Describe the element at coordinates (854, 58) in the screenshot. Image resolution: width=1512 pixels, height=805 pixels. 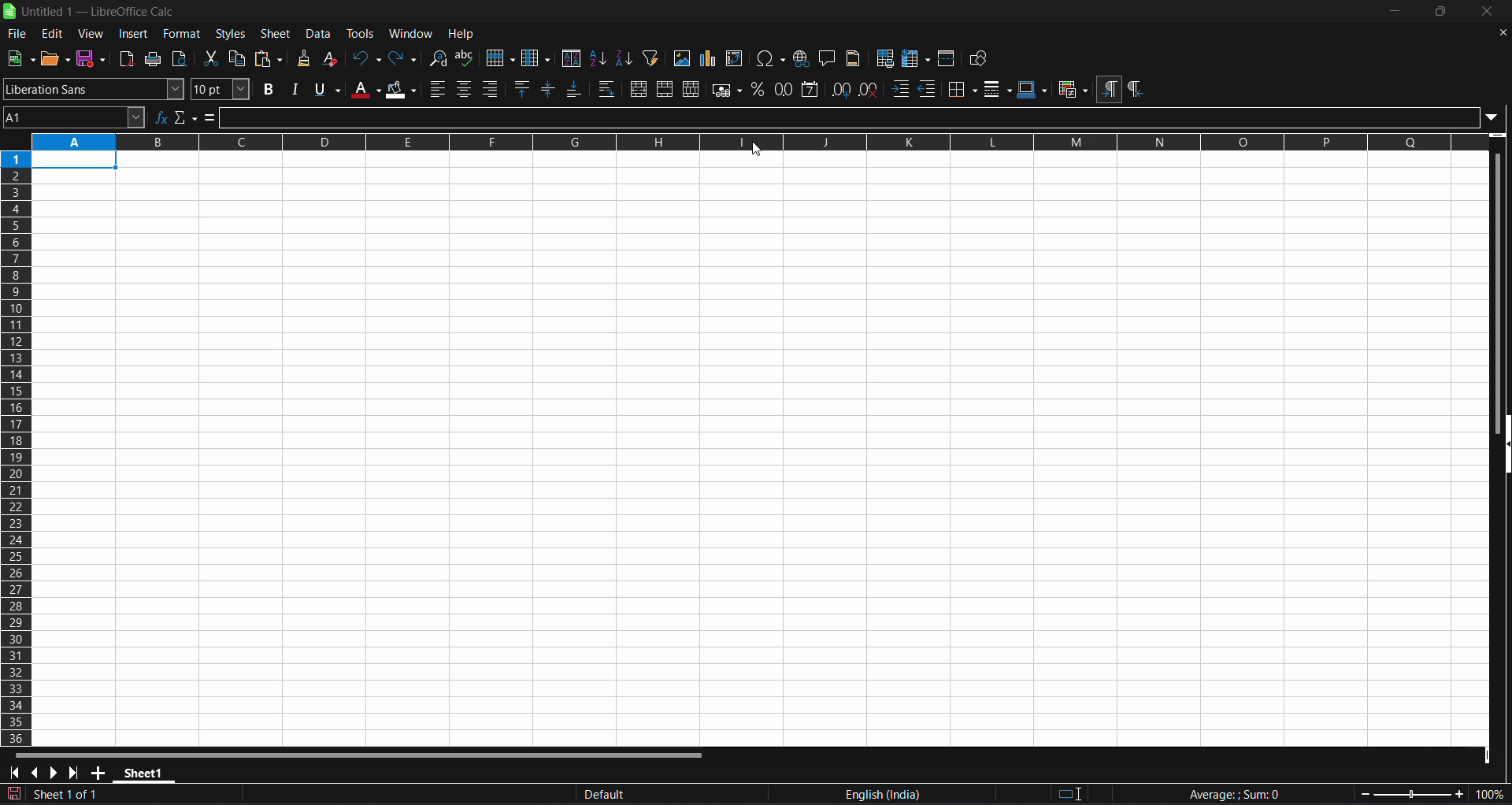
I see `headers and footers` at that location.